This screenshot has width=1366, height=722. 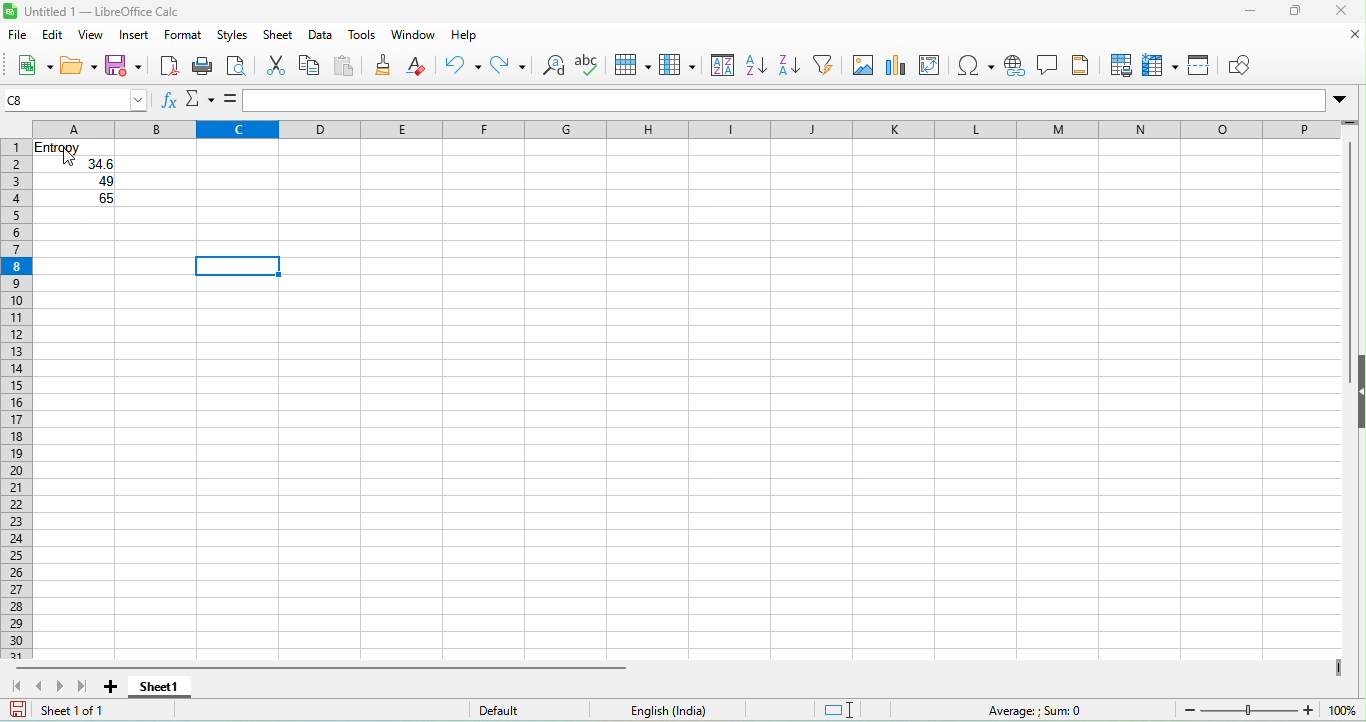 What do you see at coordinates (15, 683) in the screenshot?
I see `scroll to first sheet` at bounding box center [15, 683].